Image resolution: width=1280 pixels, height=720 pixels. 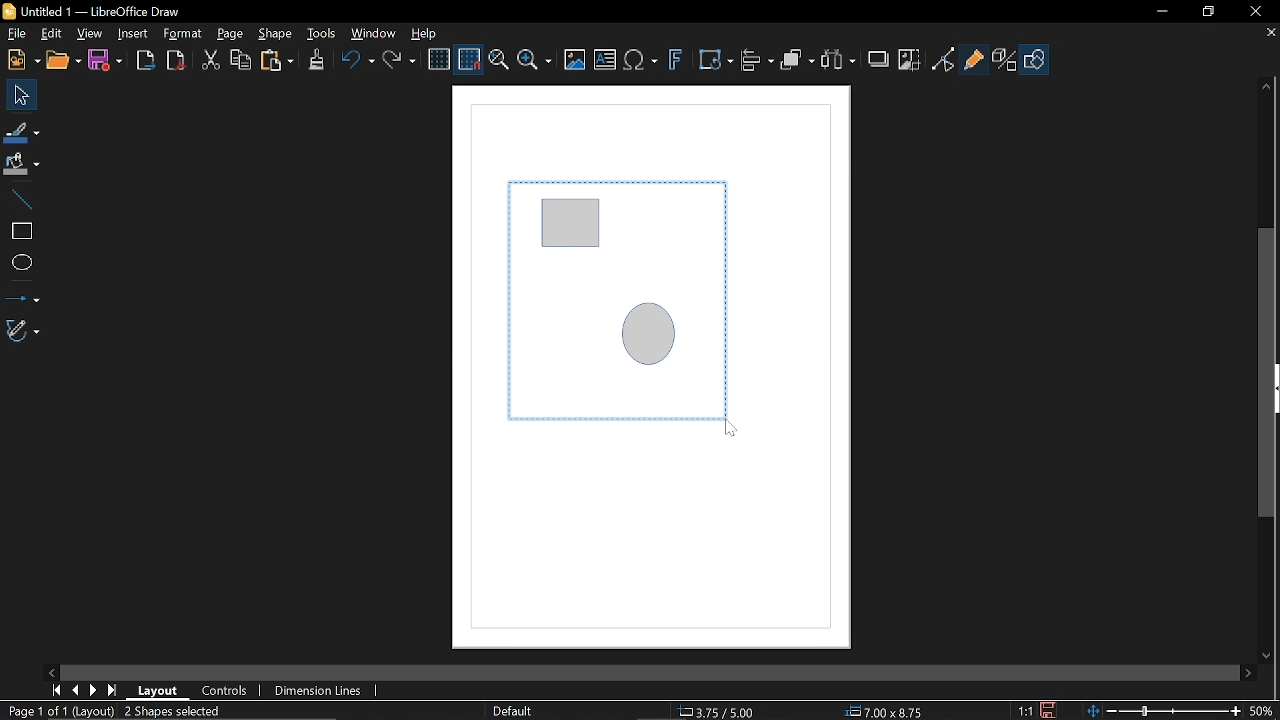 I want to click on Curves and polygons, so click(x=20, y=329).